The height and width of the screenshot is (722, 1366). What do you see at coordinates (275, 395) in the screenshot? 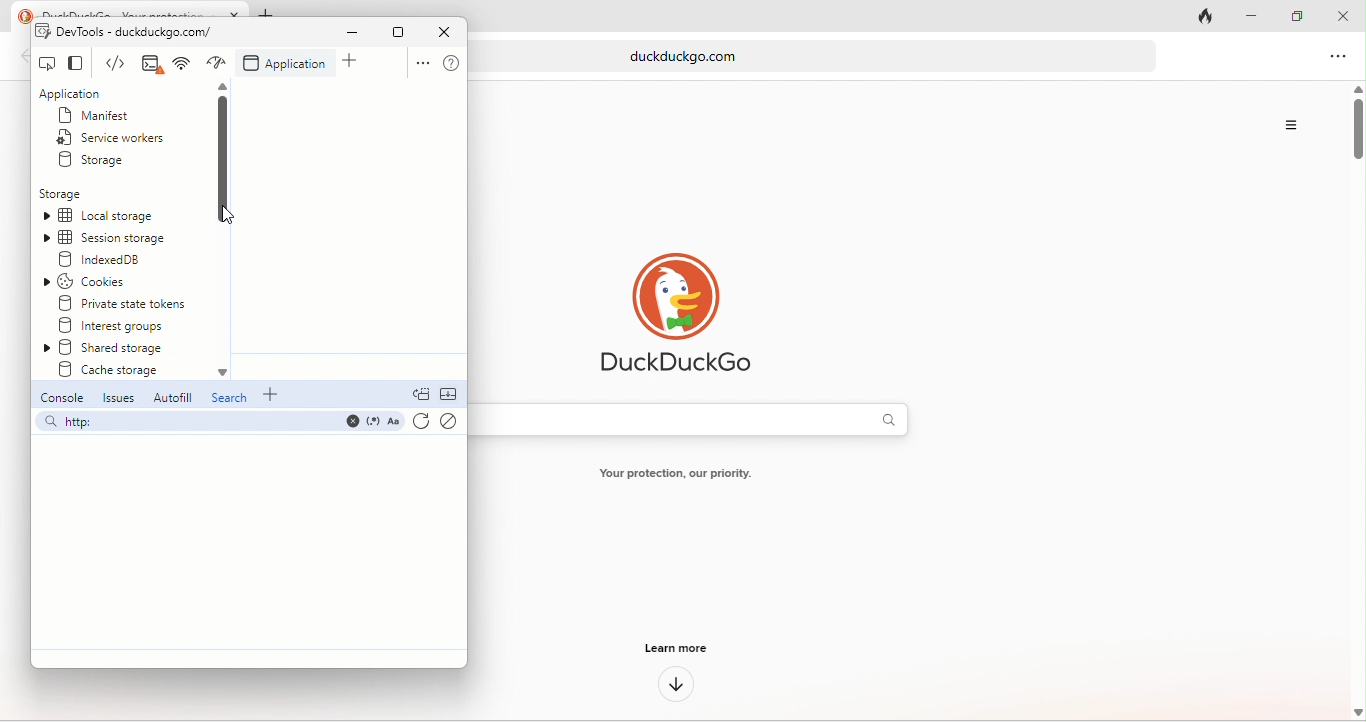
I see `add` at bounding box center [275, 395].